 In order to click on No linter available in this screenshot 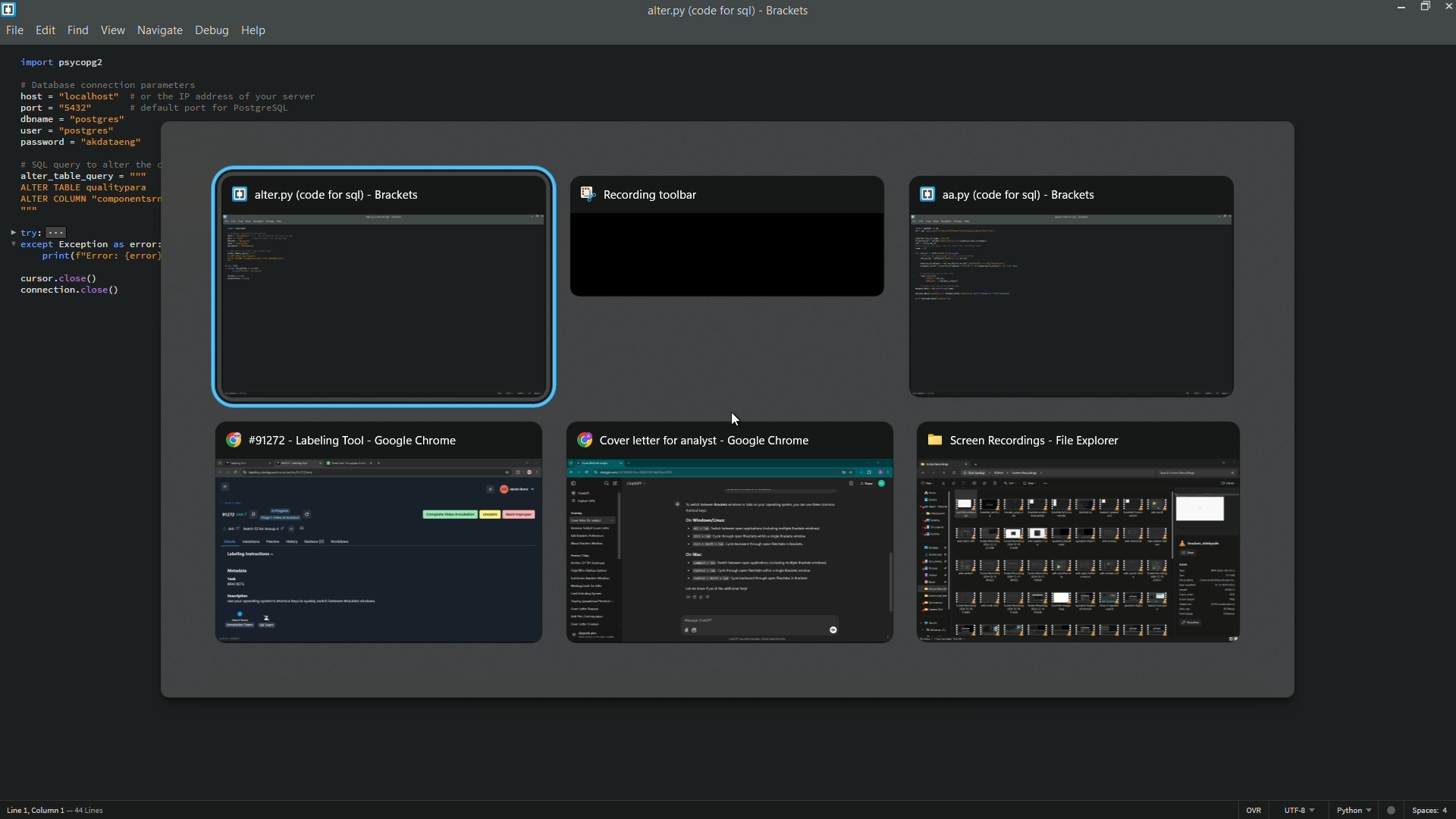, I will do `click(1390, 811)`.